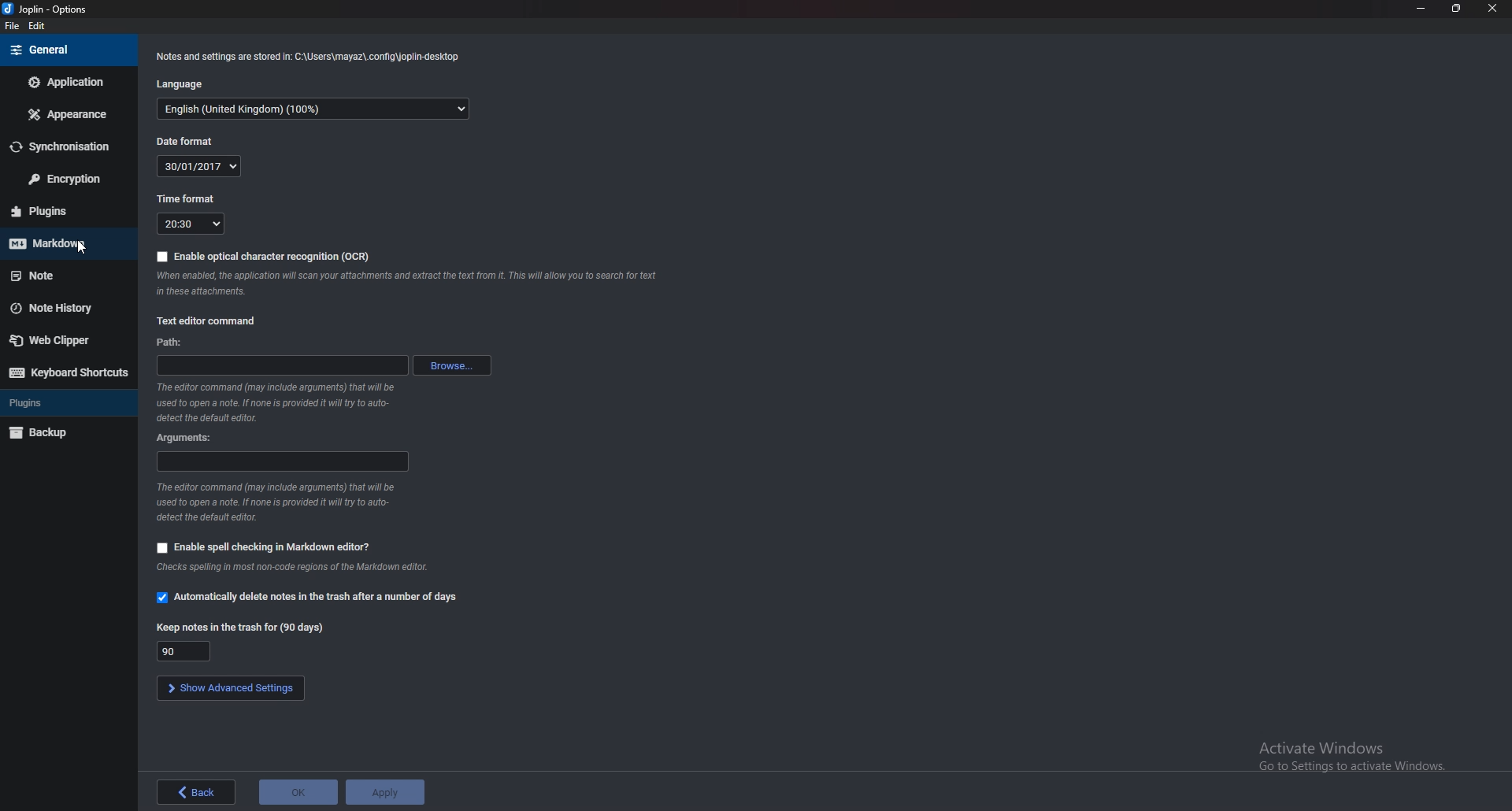 This screenshot has width=1512, height=811. What do you see at coordinates (43, 27) in the screenshot?
I see `edit` at bounding box center [43, 27].